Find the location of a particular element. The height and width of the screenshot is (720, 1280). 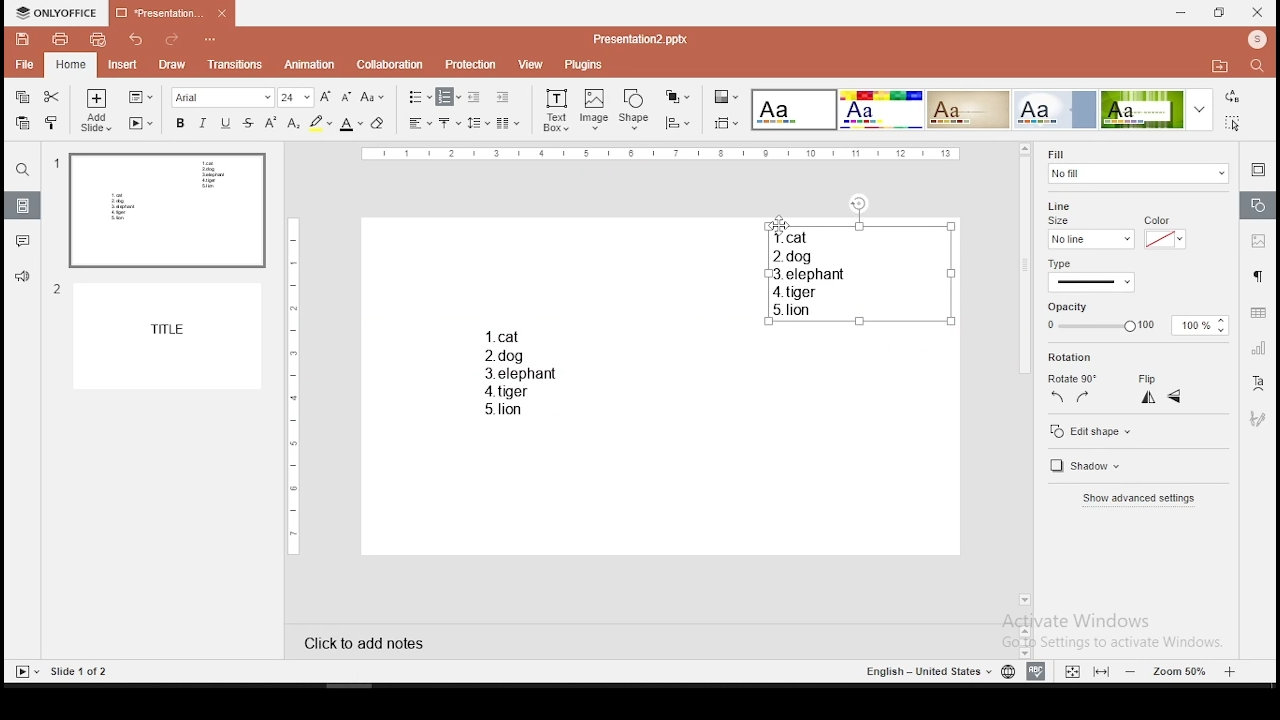

scale is located at coordinates (661, 155).